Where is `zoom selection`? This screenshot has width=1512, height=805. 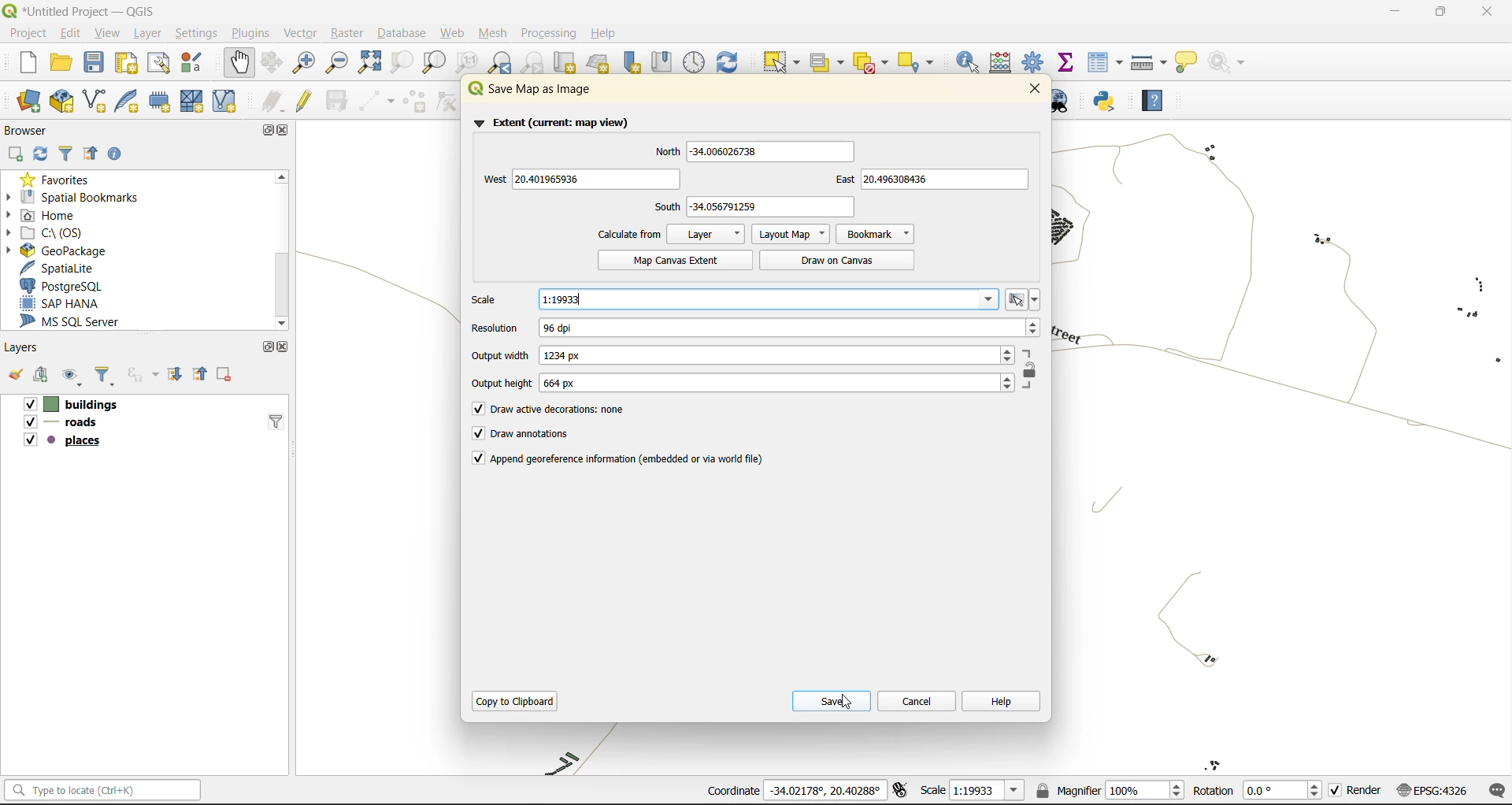
zoom selection is located at coordinates (398, 63).